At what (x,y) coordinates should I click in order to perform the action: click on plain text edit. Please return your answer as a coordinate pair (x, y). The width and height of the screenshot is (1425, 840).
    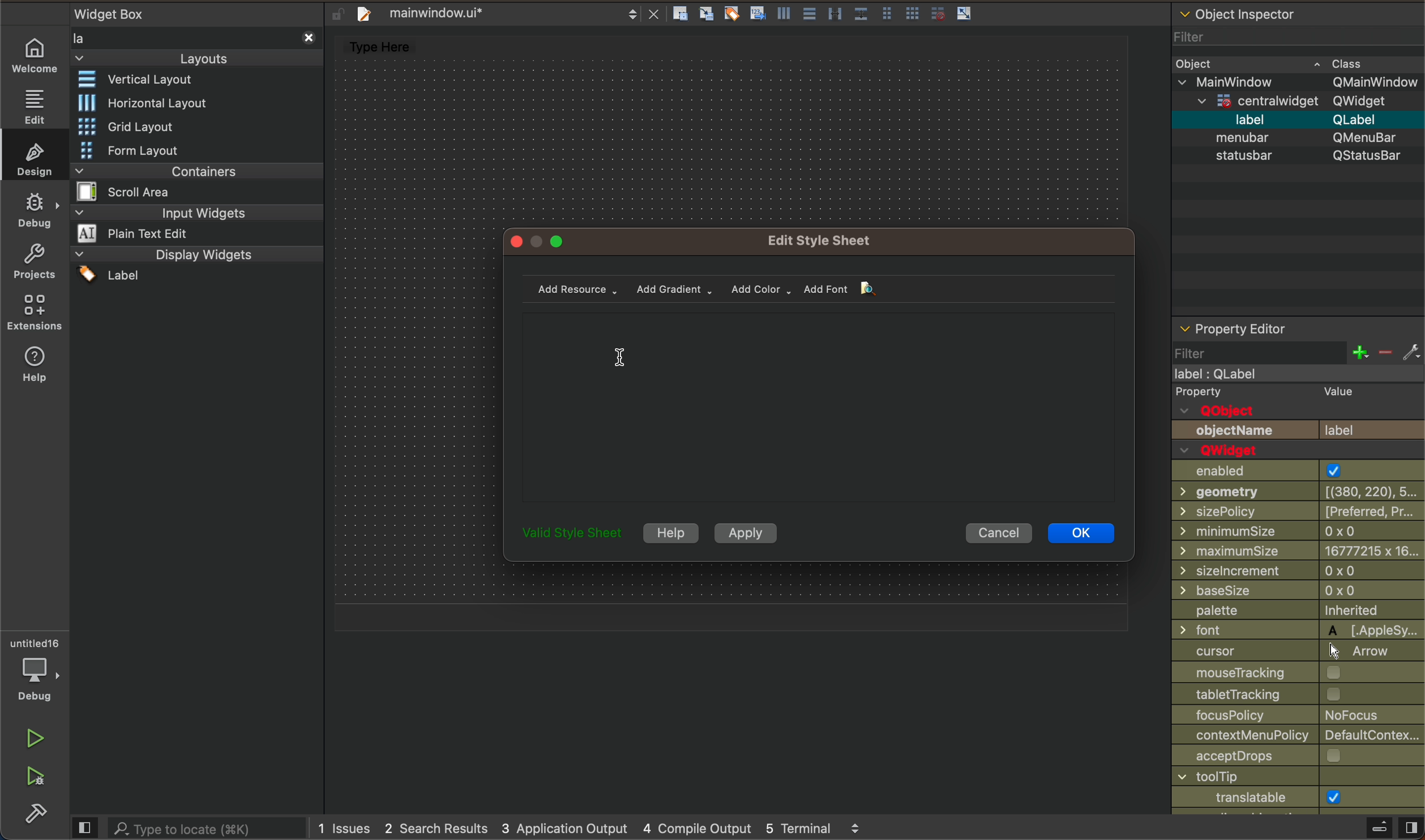
    Looking at the image, I should click on (144, 234).